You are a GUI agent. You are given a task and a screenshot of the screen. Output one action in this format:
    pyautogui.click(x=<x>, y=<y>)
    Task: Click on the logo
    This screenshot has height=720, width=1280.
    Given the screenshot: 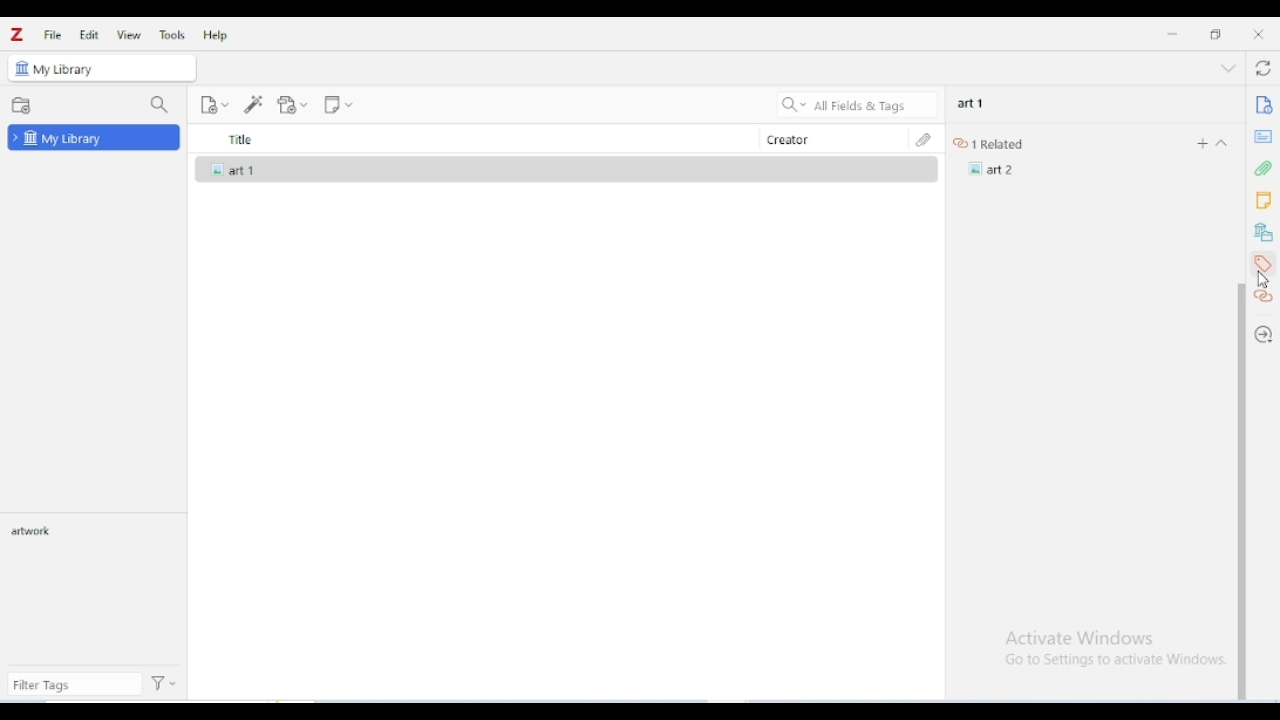 What is the action you would take?
    pyautogui.click(x=17, y=35)
    